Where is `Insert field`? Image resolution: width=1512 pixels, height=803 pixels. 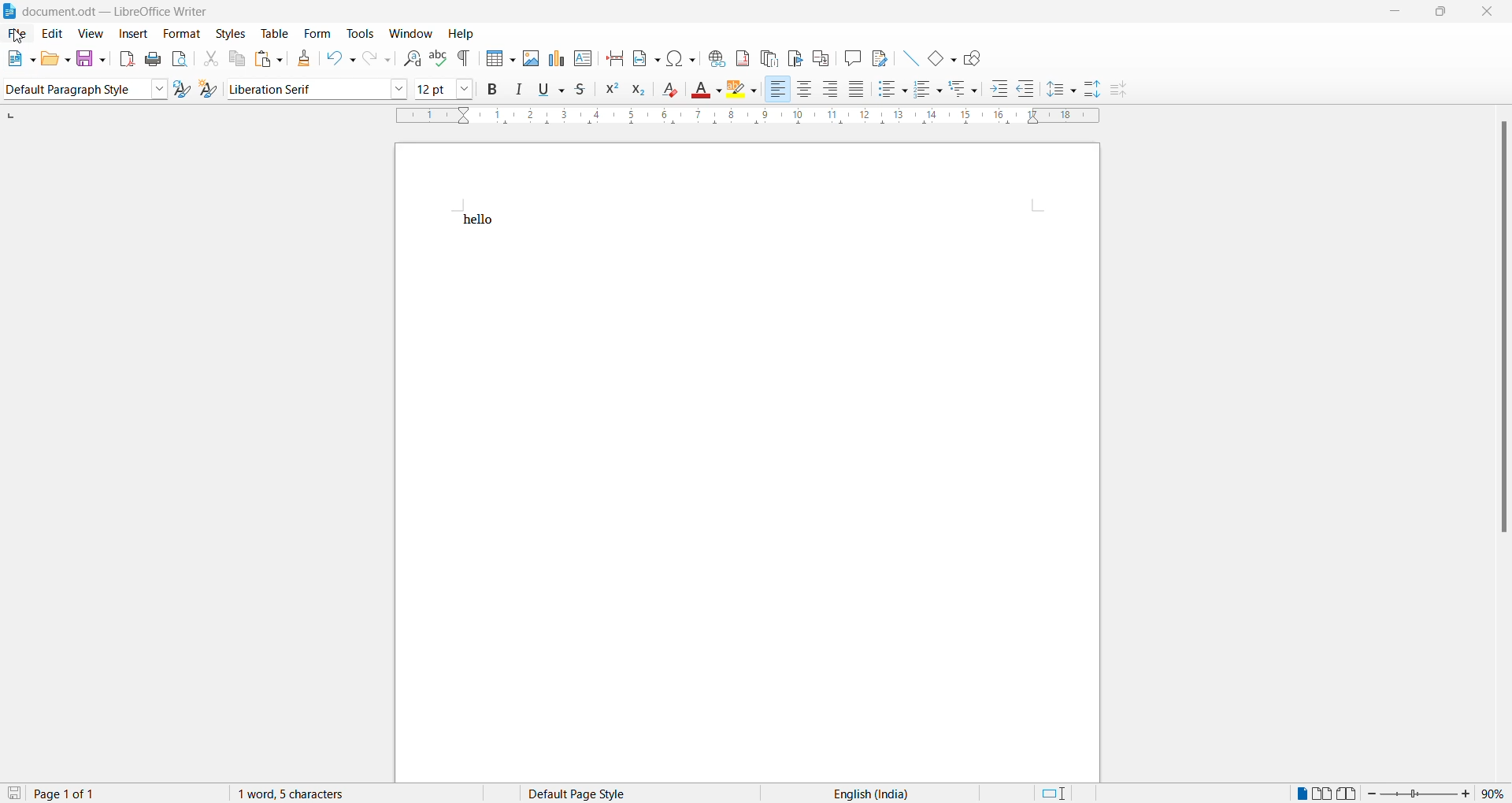
Insert field is located at coordinates (646, 59).